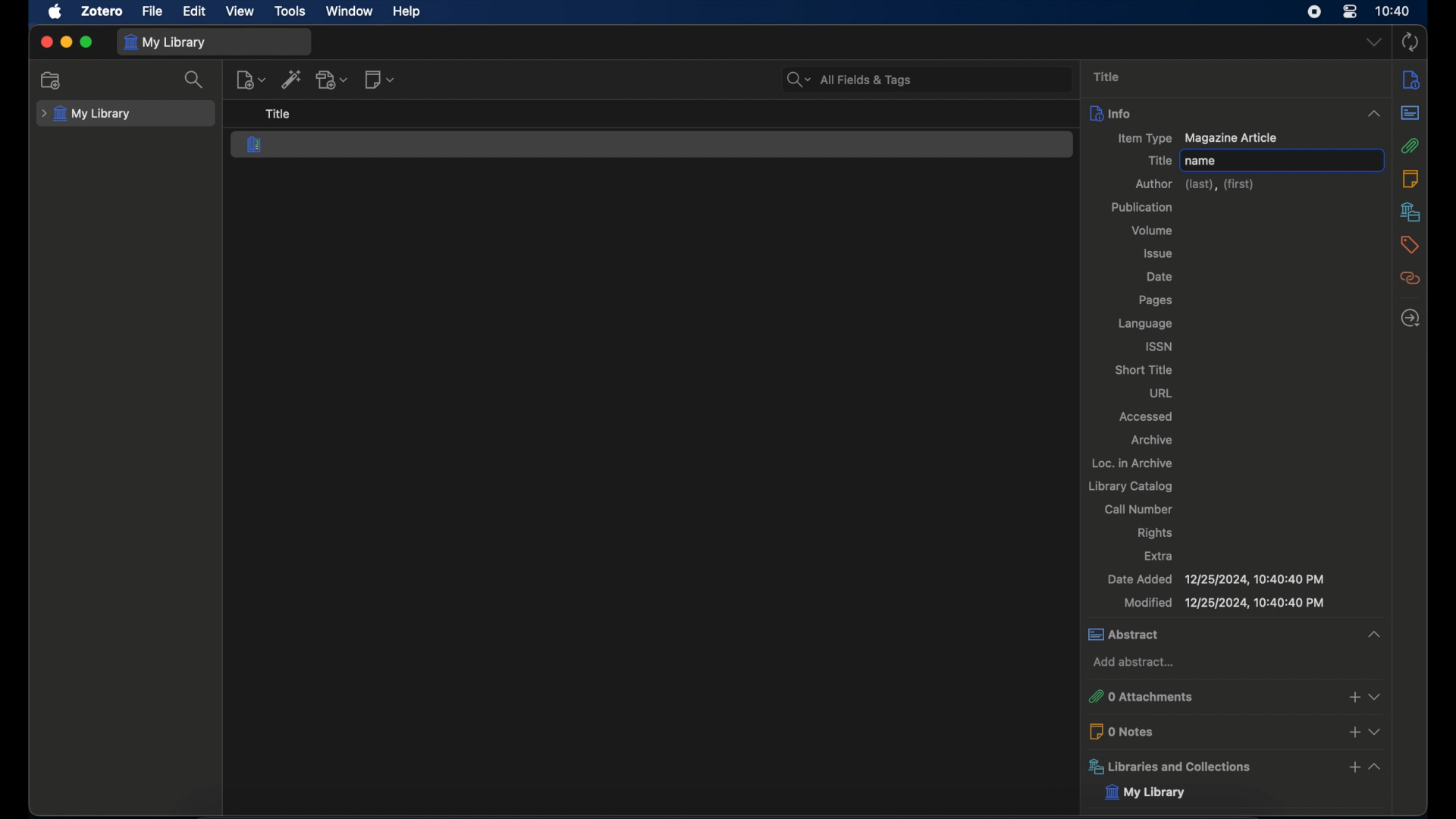 The width and height of the screenshot is (1456, 819). I want to click on my library, so click(86, 115).